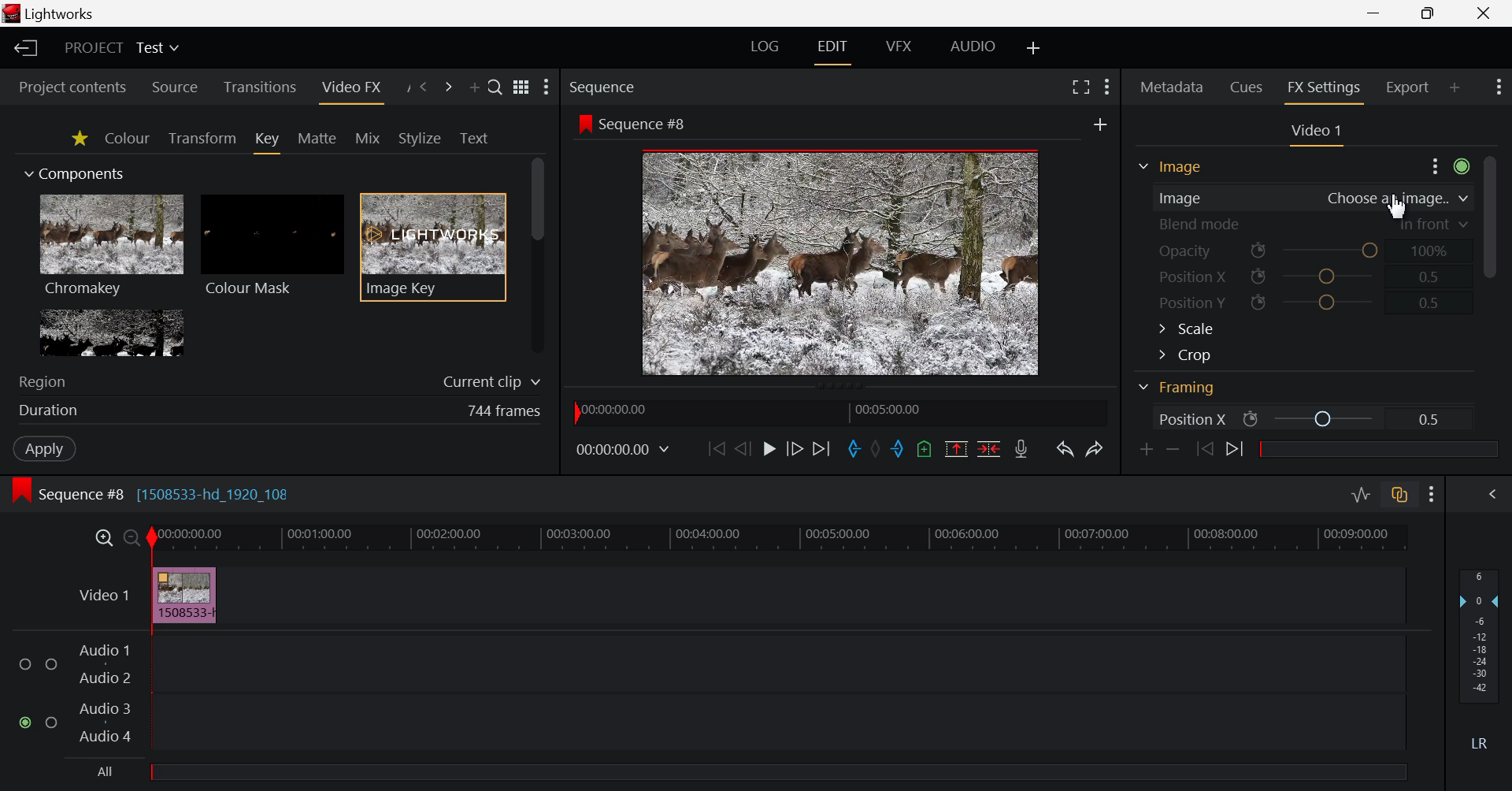 The height and width of the screenshot is (791, 1512). What do you see at coordinates (419, 137) in the screenshot?
I see `Stylize` at bounding box center [419, 137].